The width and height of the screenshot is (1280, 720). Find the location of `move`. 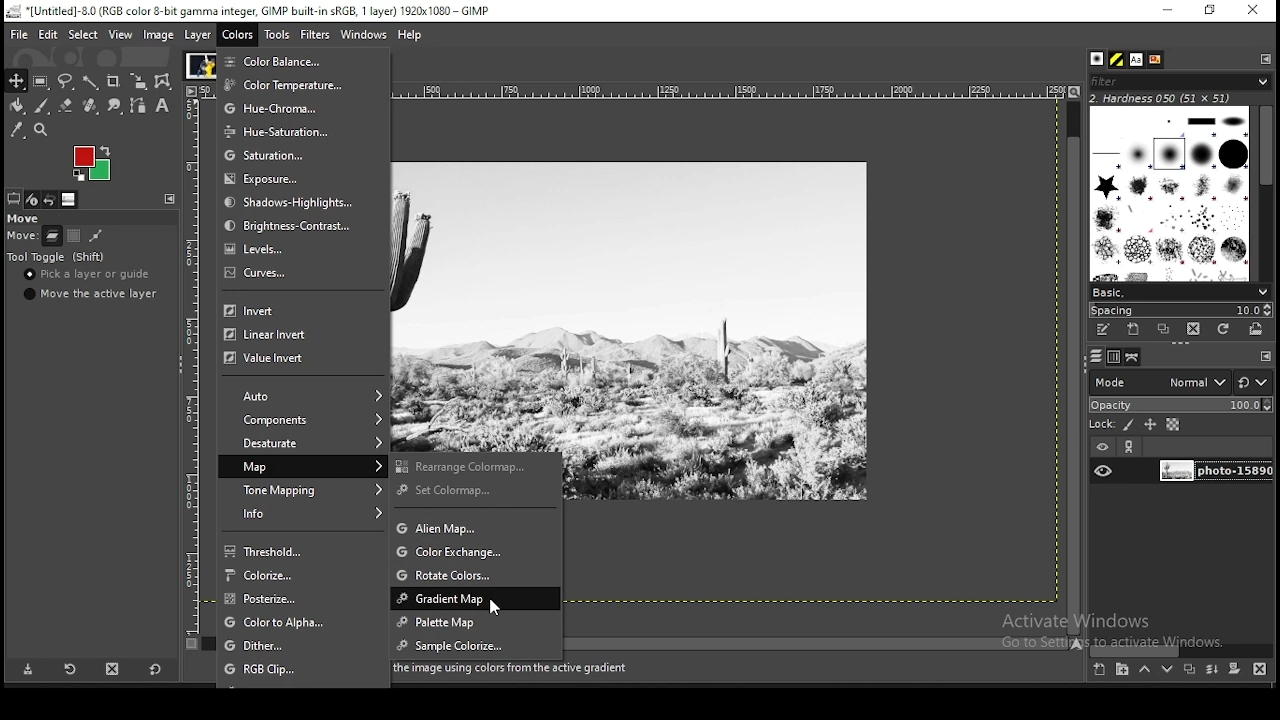

move is located at coordinates (21, 237).